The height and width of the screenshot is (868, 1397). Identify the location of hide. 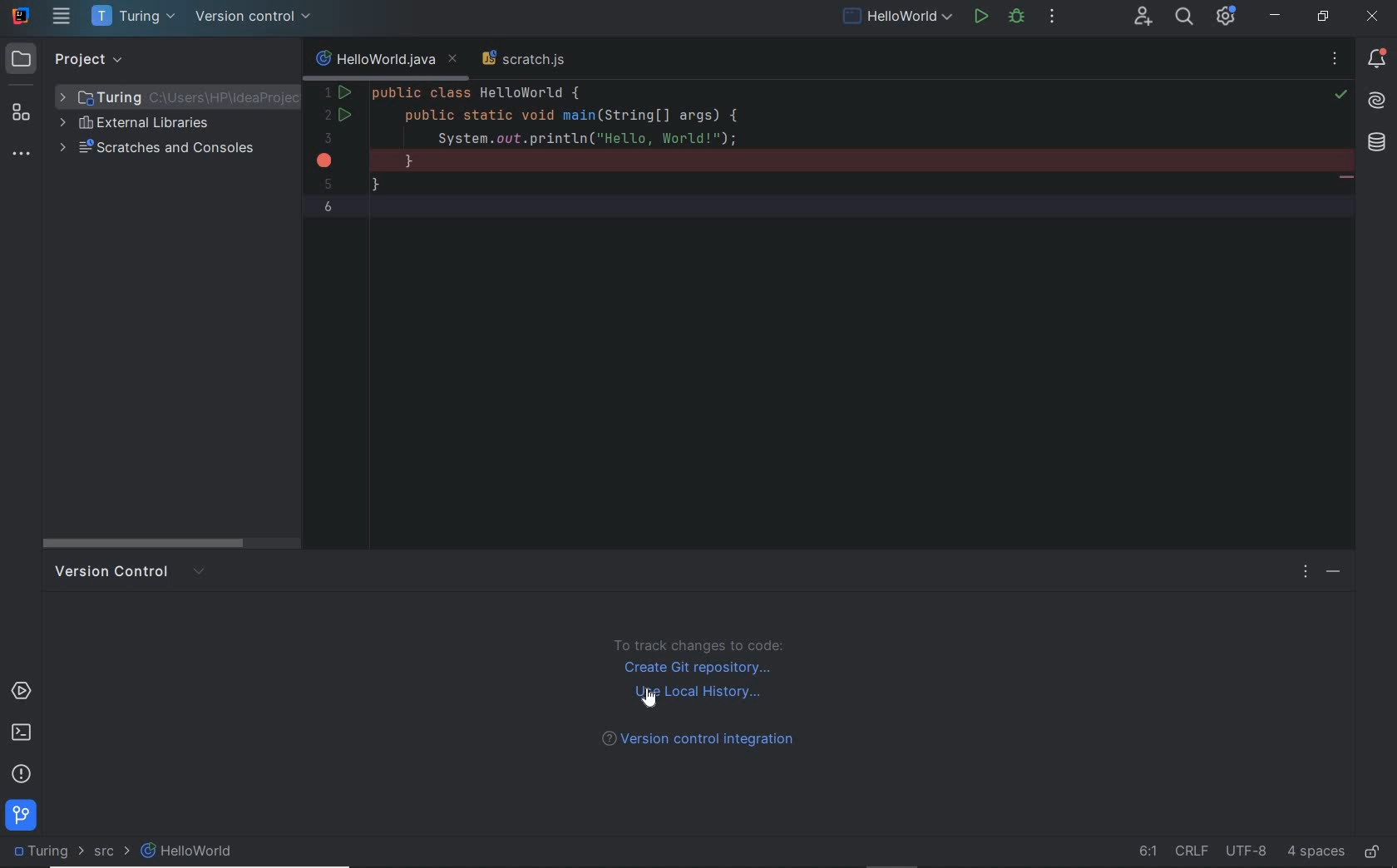
(1337, 574).